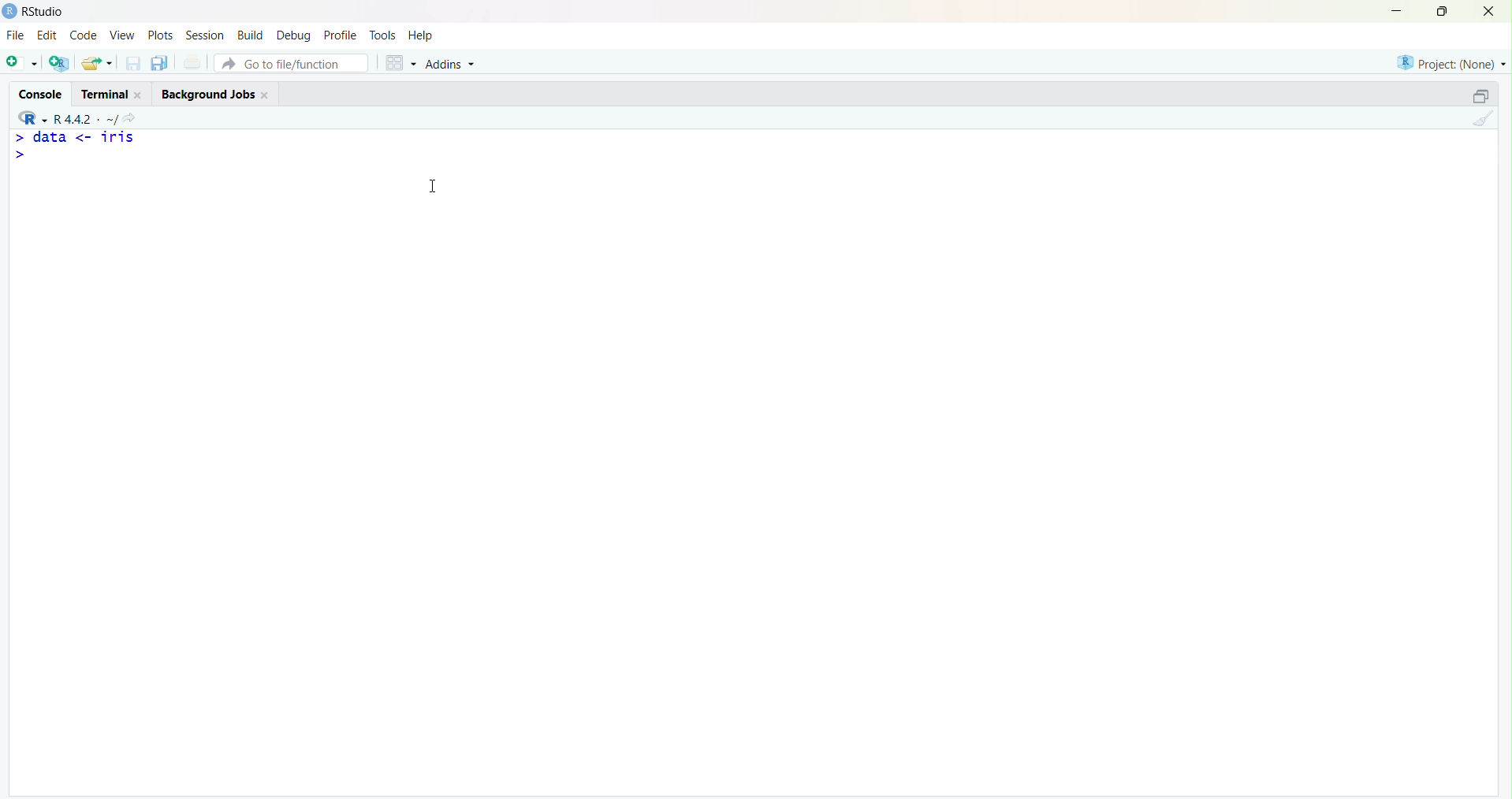 The height and width of the screenshot is (799, 1512). I want to click on Workspace panes, so click(397, 61).